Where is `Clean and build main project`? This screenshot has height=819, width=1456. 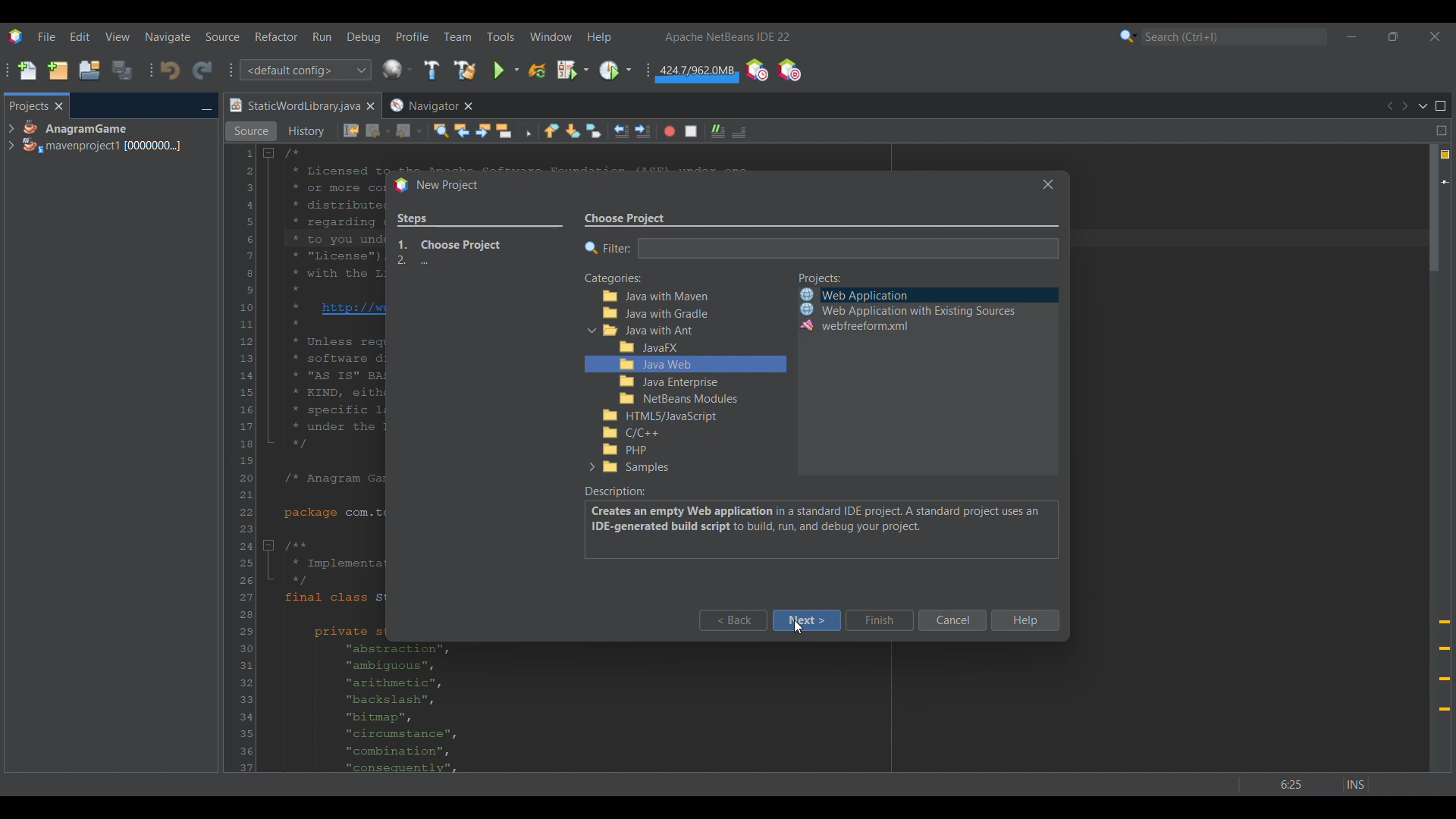 Clean and build main project is located at coordinates (464, 70).